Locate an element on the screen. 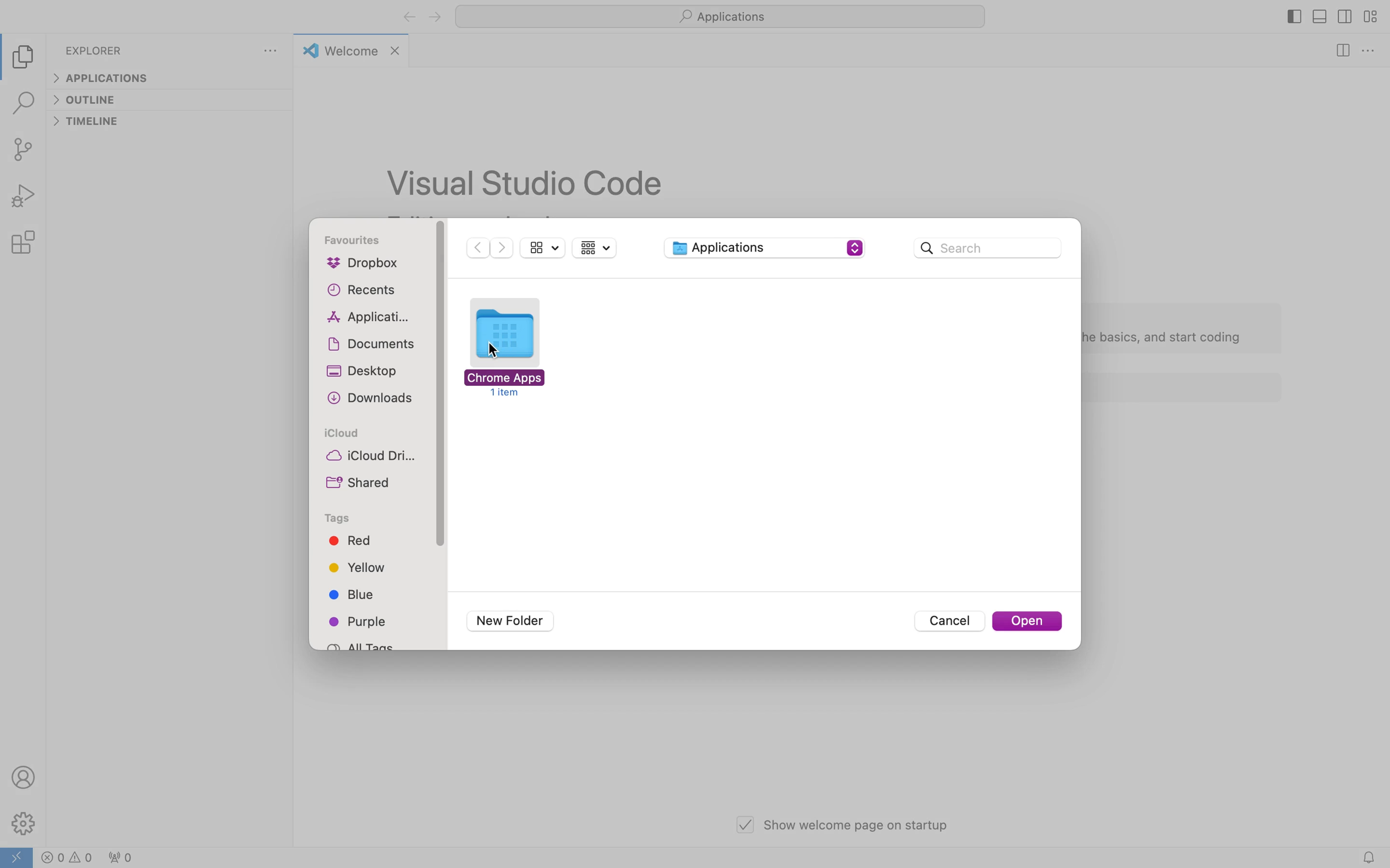  favourites is located at coordinates (357, 241).